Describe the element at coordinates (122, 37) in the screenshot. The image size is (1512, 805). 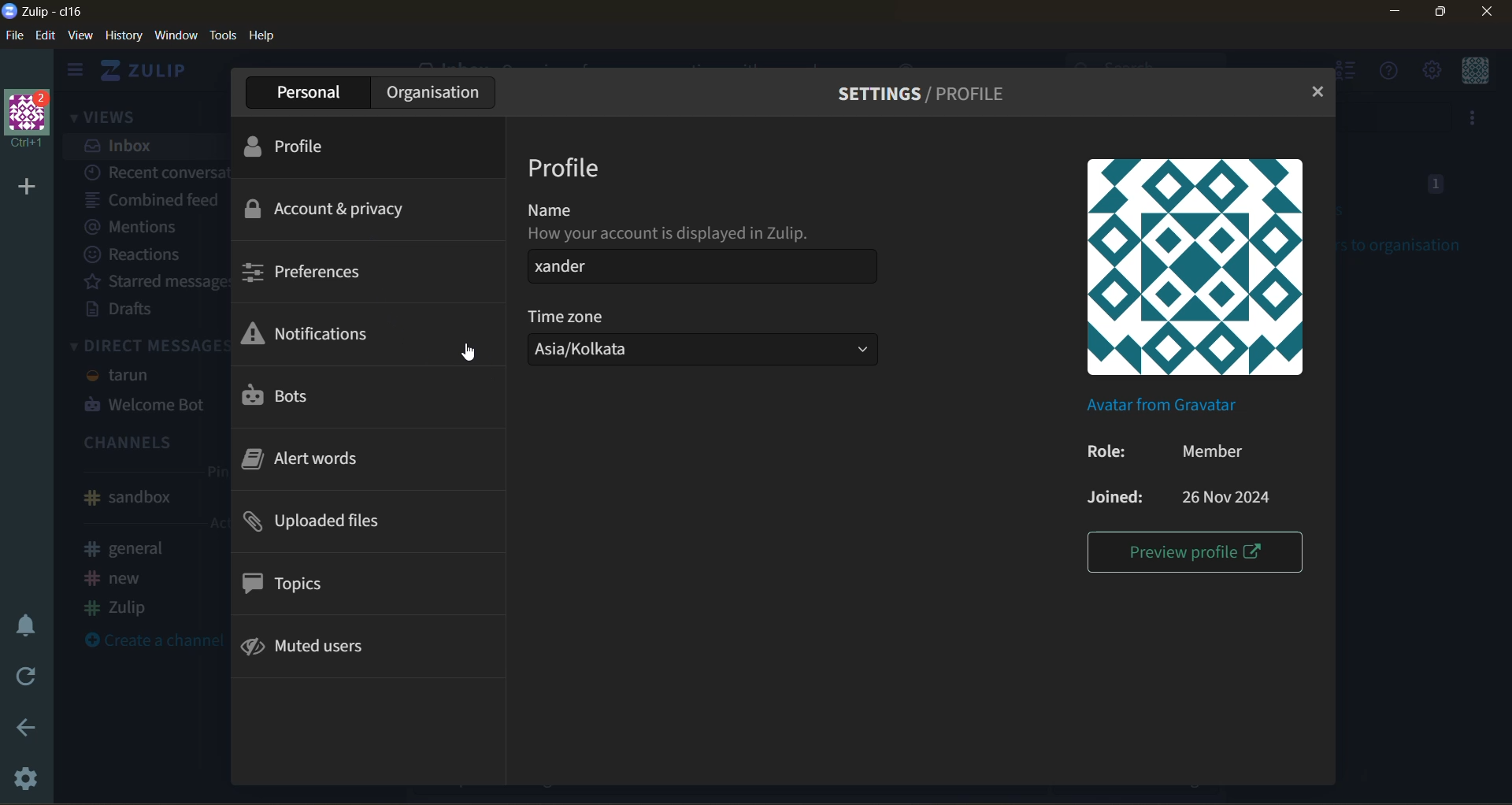
I see `history` at that location.